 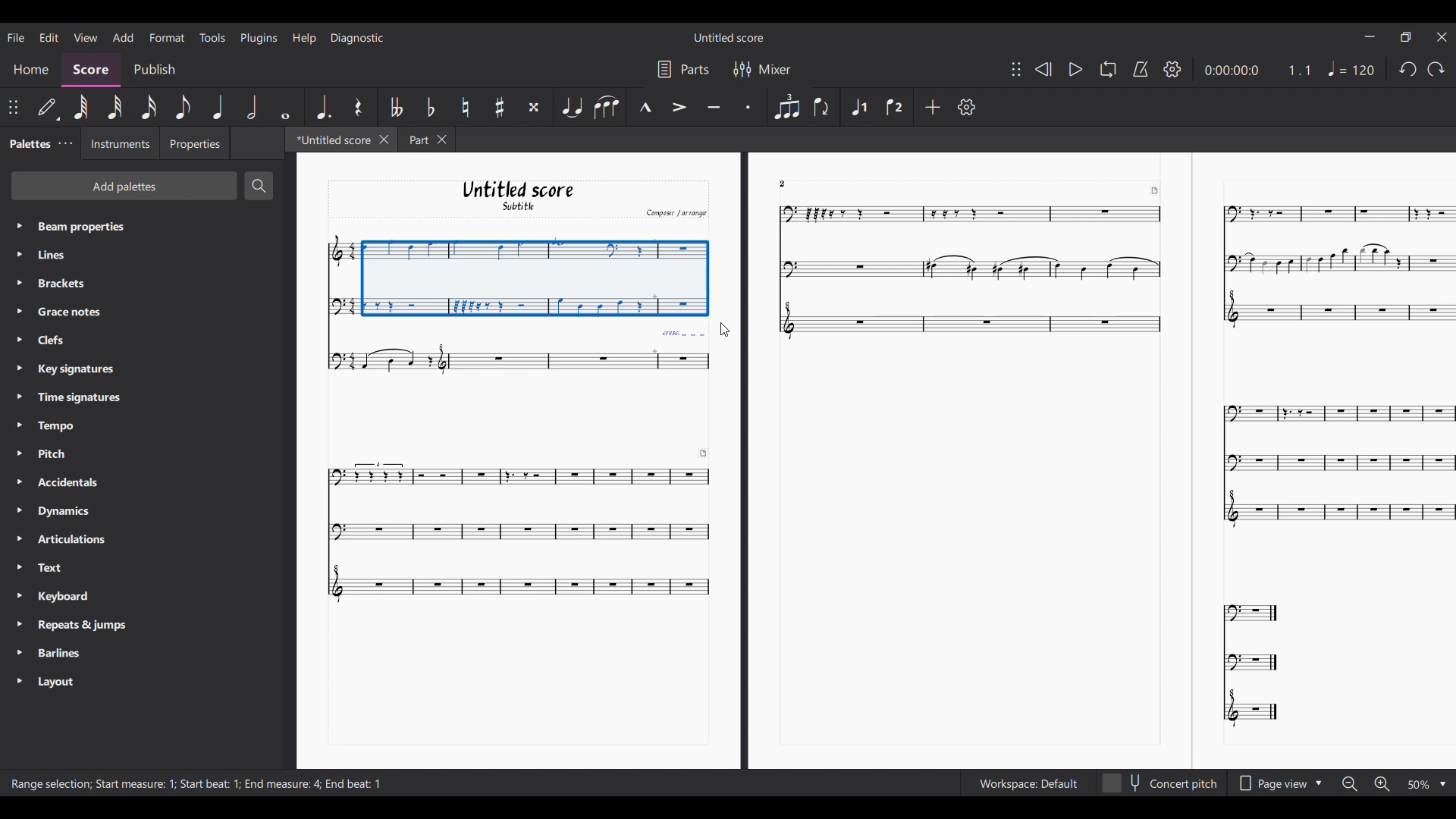 What do you see at coordinates (1442, 785) in the screenshot?
I see `Drop down` at bounding box center [1442, 785].